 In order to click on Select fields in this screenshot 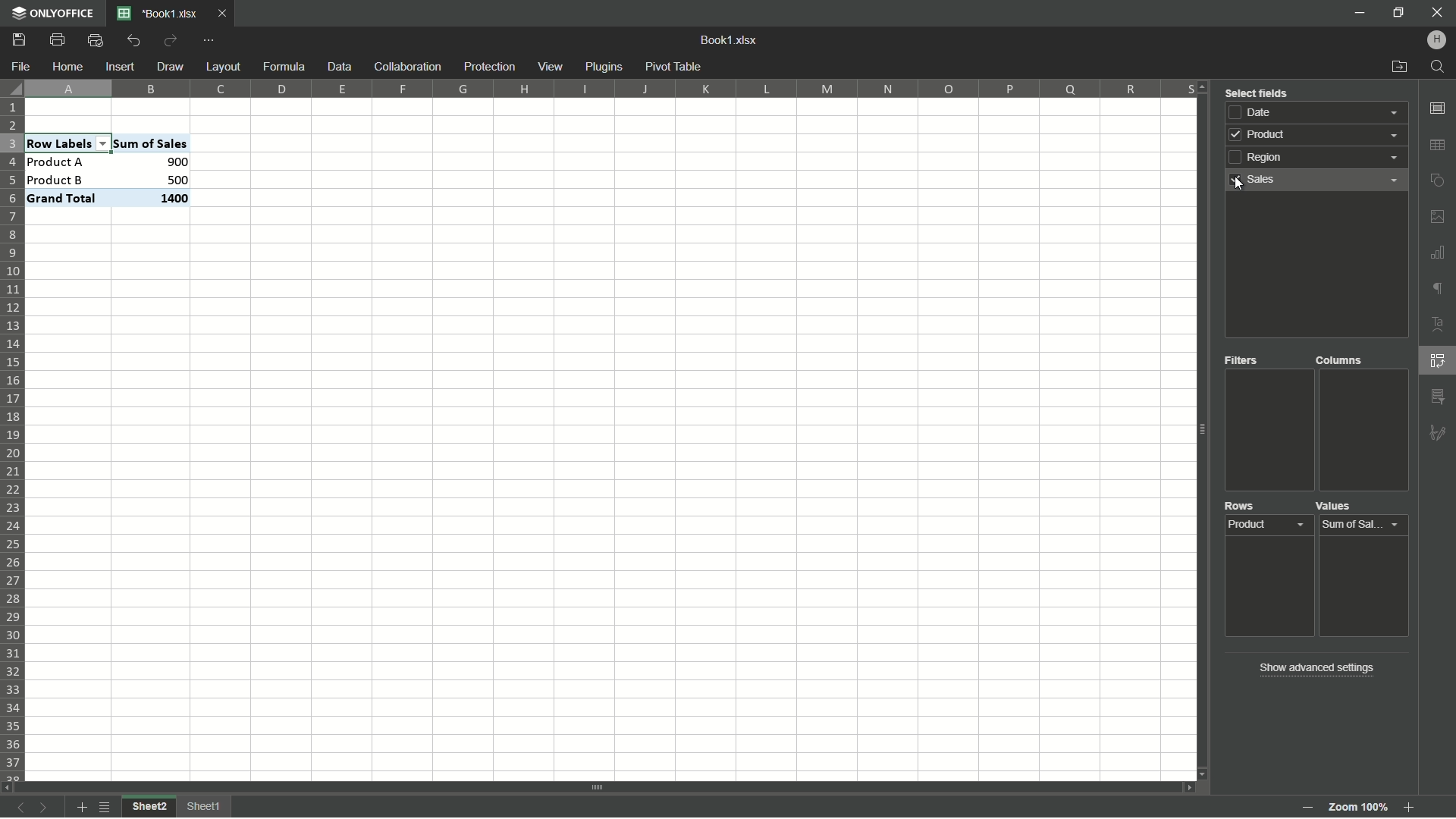, I will do `click(1257, 91)`.